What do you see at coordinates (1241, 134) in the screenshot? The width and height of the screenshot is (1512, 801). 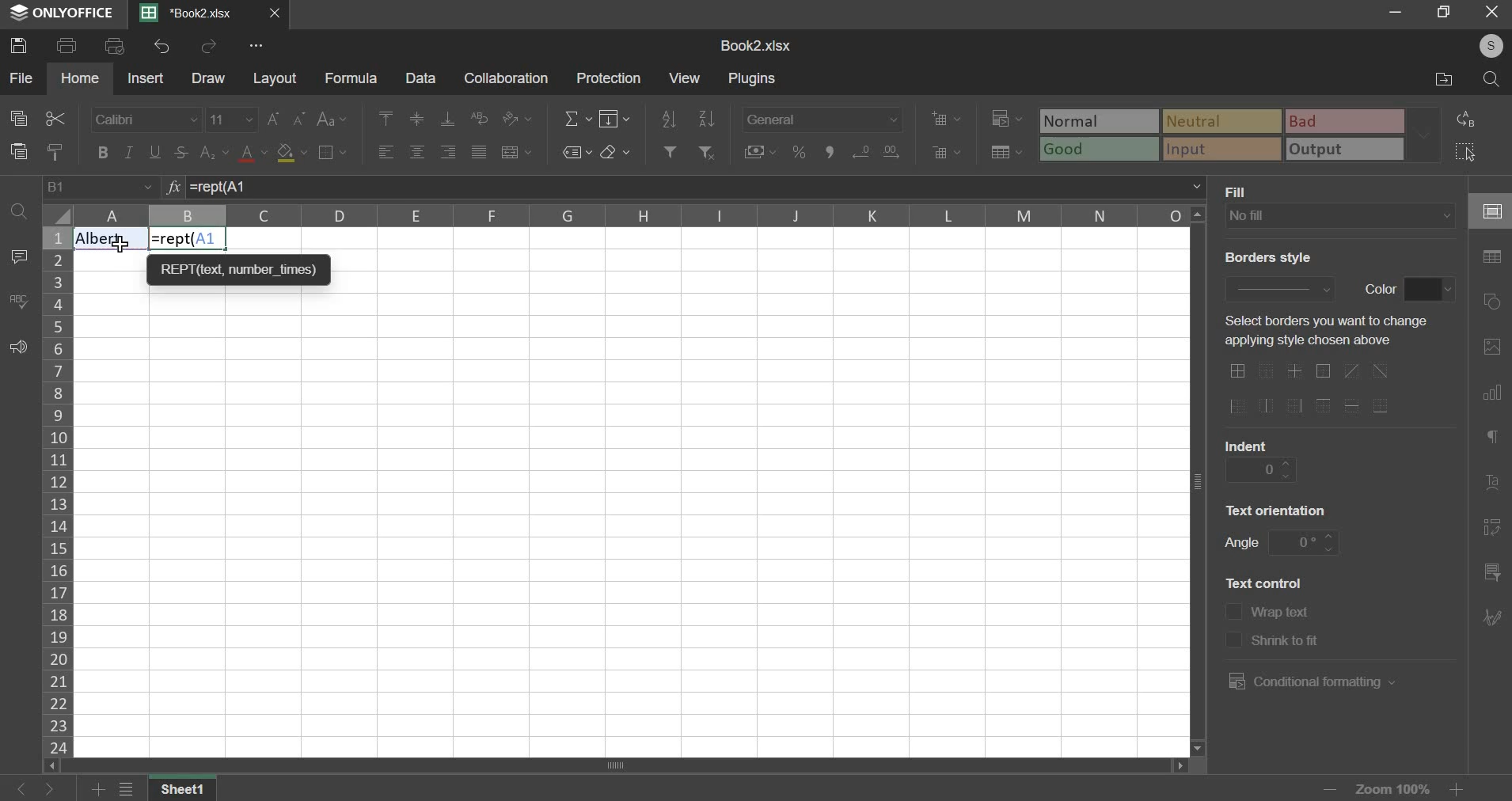 I see `type` at bounding box center [1241, 134].